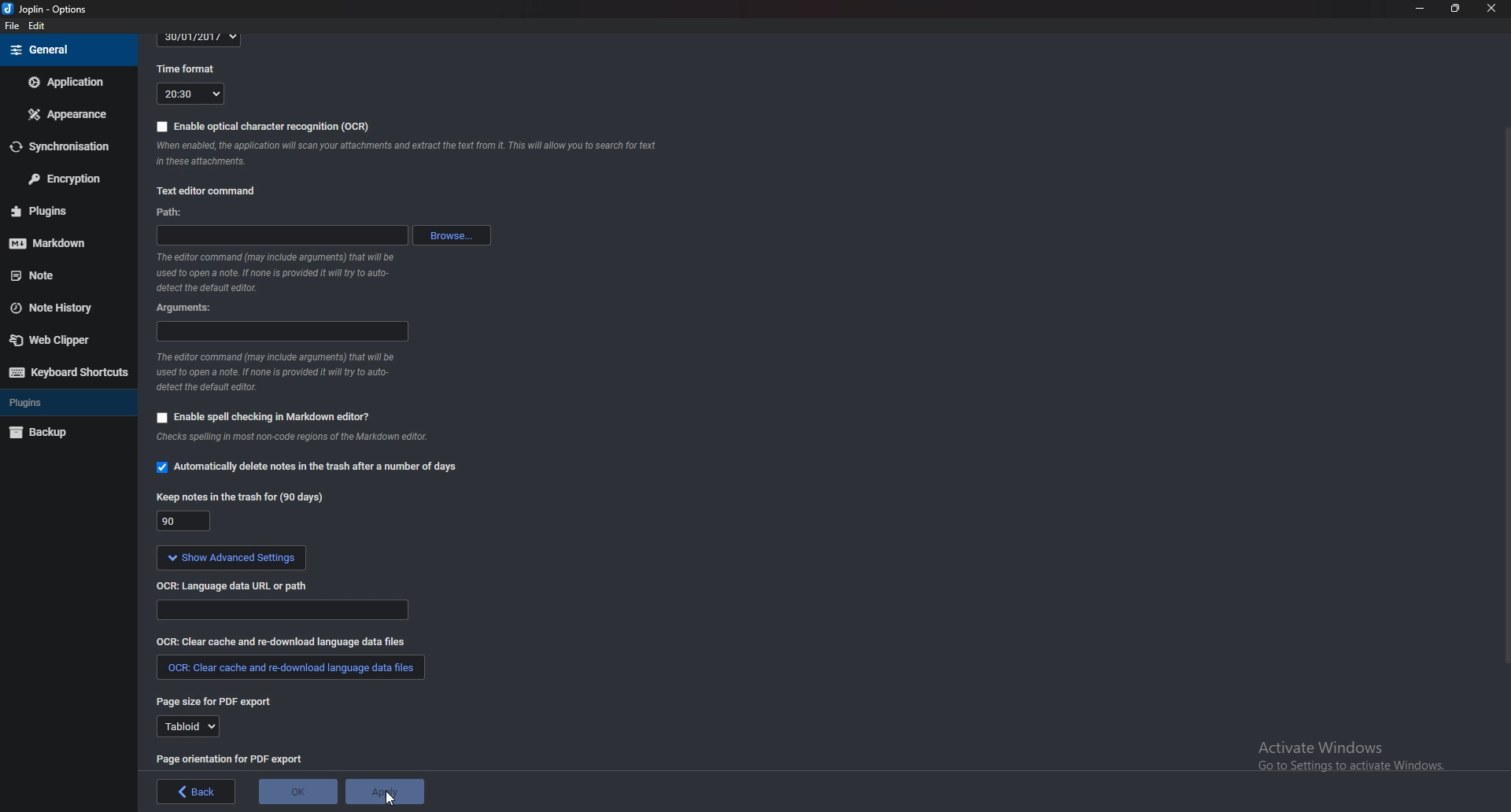 The image size is (1511, 812). I want to click on Info, so click(283, 271).